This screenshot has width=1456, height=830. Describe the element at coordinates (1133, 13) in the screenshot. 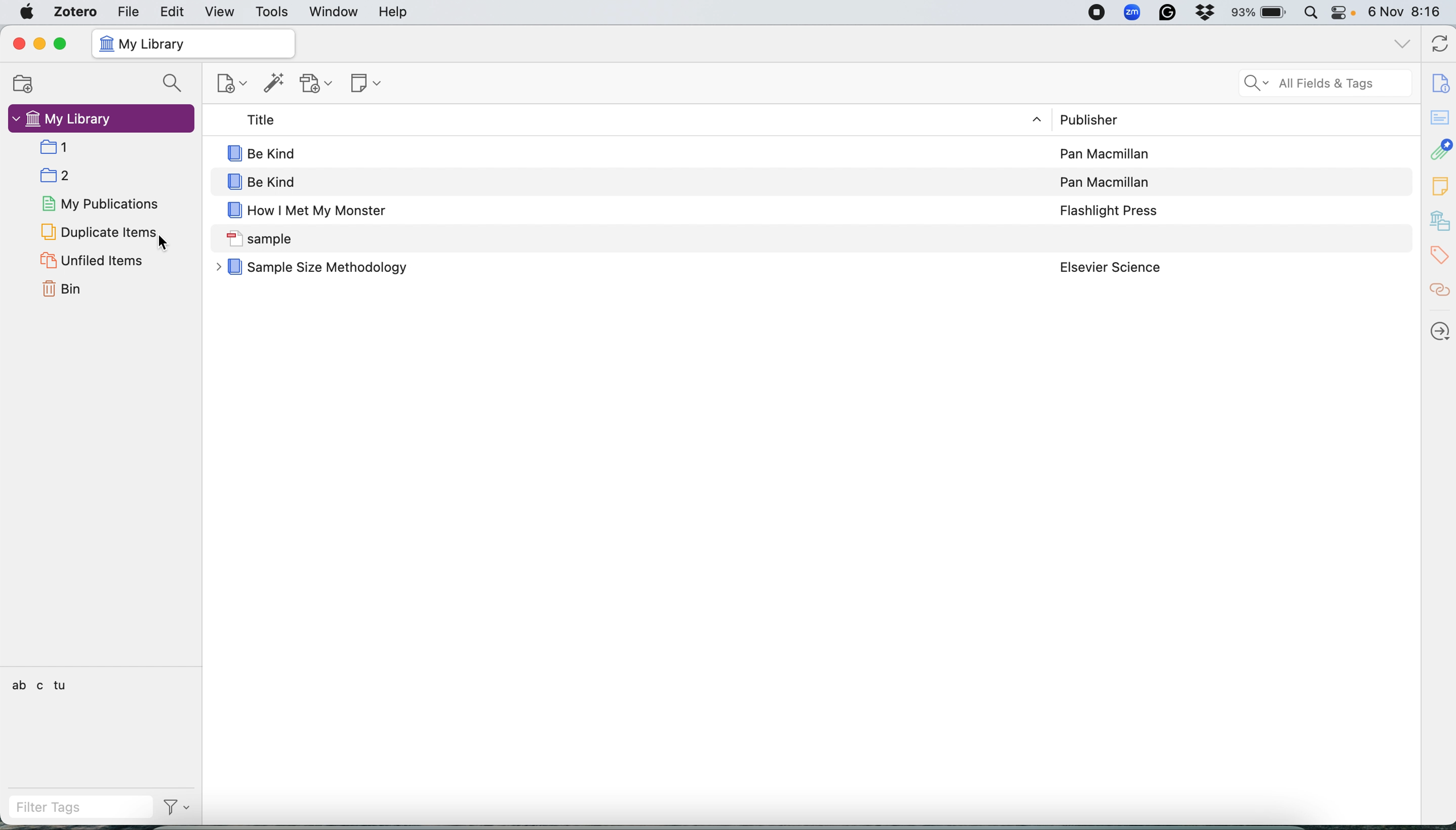

I see `zoom` at that location.